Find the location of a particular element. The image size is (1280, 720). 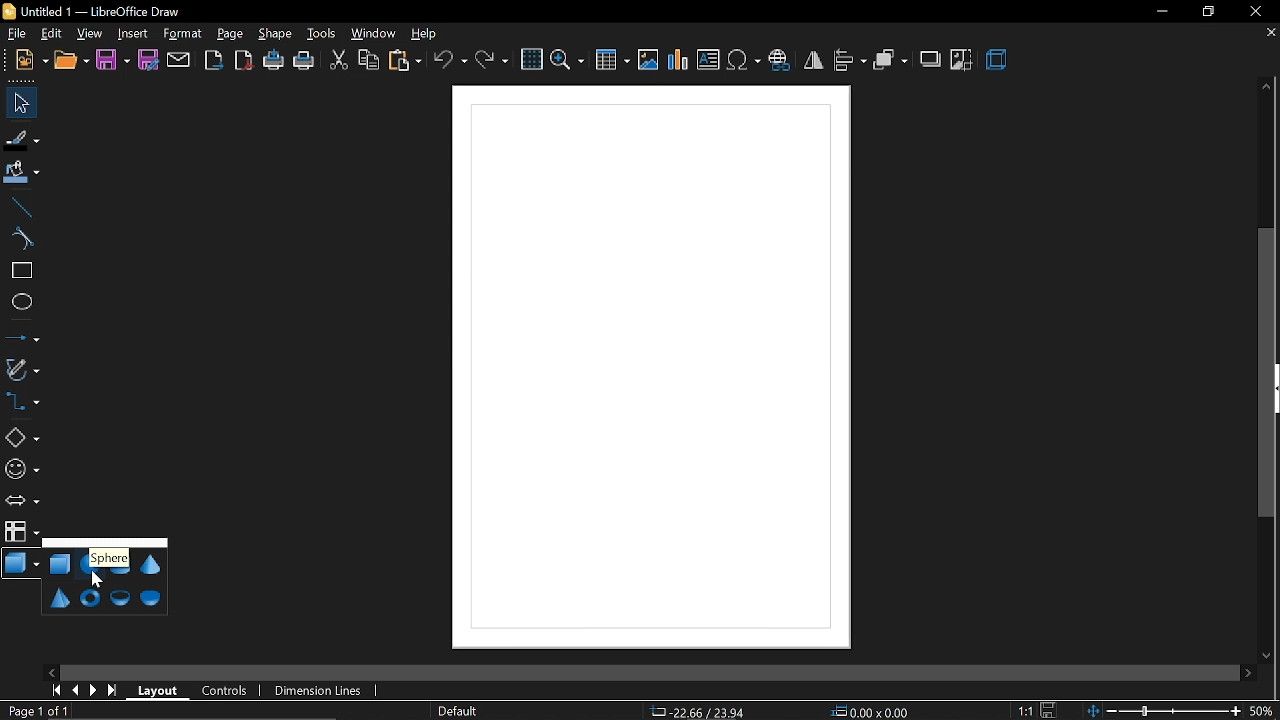

3d effects is located at coordinates (997, 60).